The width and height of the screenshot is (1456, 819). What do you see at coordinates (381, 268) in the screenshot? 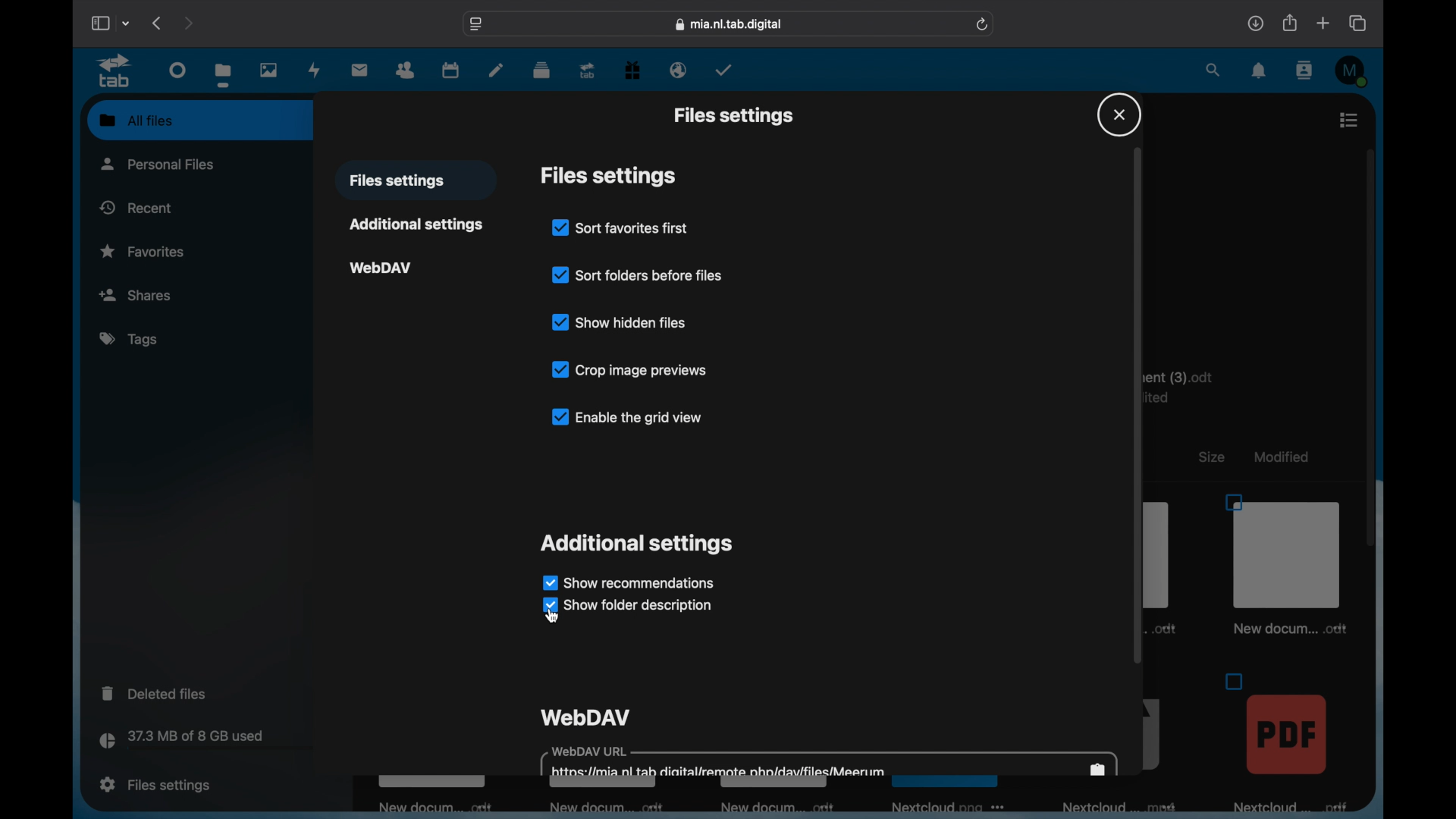
I see `webdav` at bounding box center [381, 268].